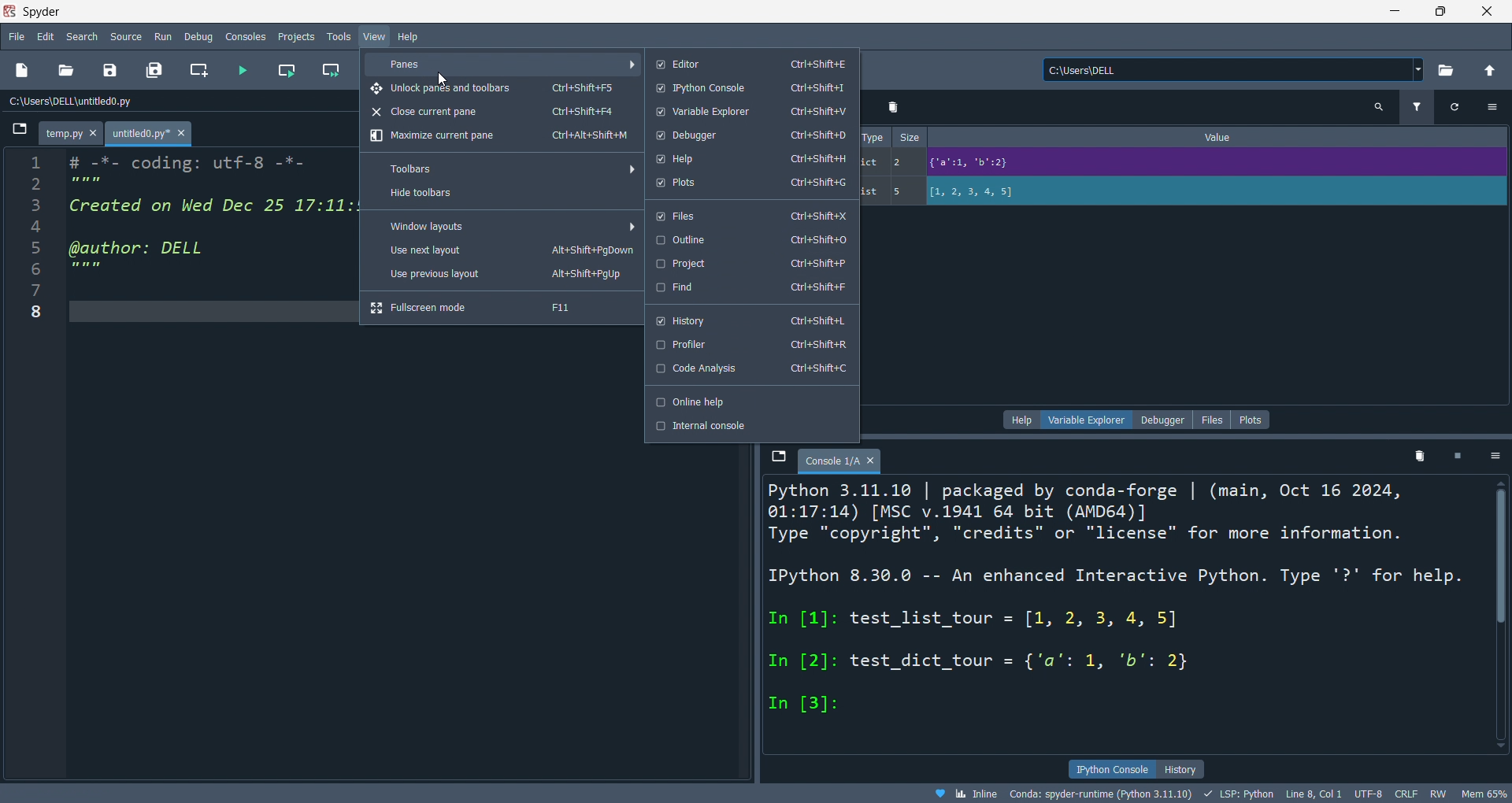 Image resolution: width=1512 pixels, height=803 pixels. Describe the element at coordinates (338, 39) in the screenshot. I see `tools` at that location.